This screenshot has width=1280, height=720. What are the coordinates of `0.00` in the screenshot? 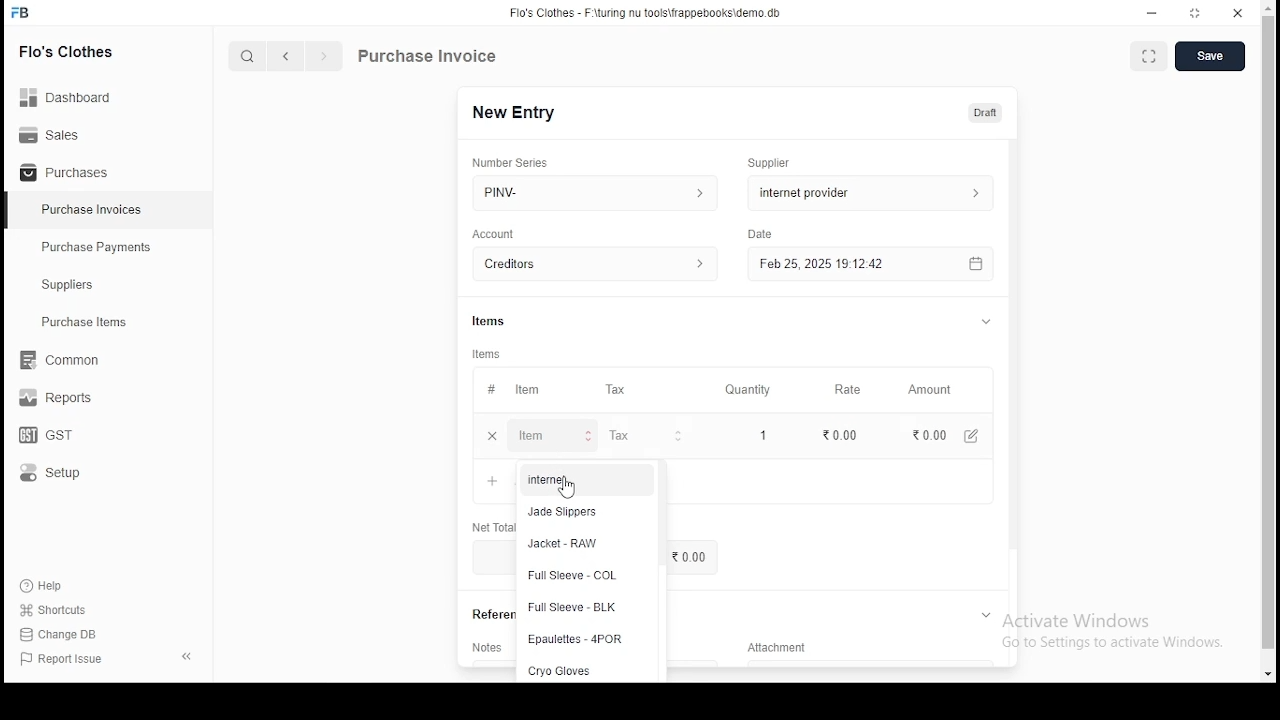 It's located at (693, 557).